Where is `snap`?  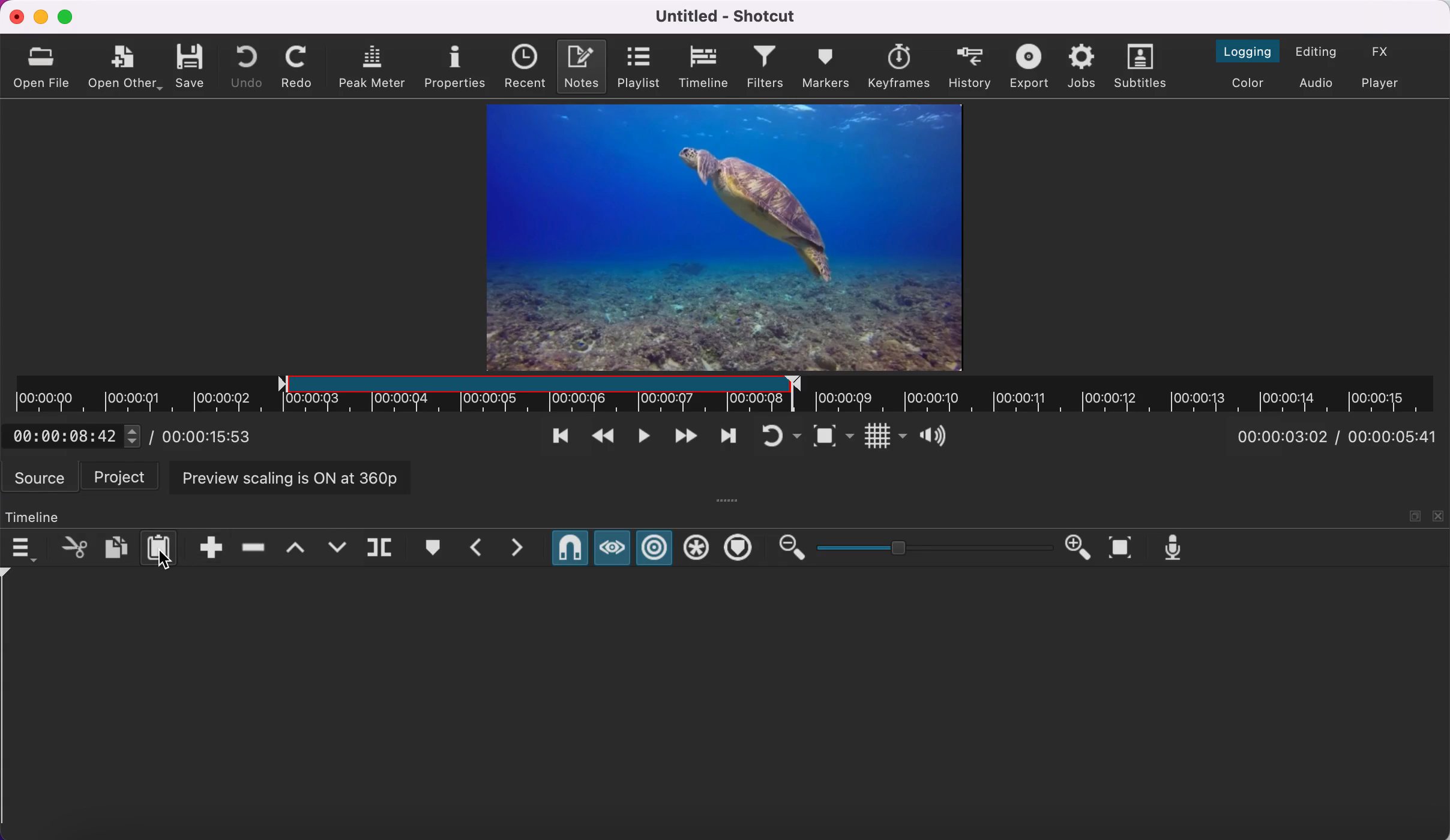 snap is located at coordinates (568, 548).